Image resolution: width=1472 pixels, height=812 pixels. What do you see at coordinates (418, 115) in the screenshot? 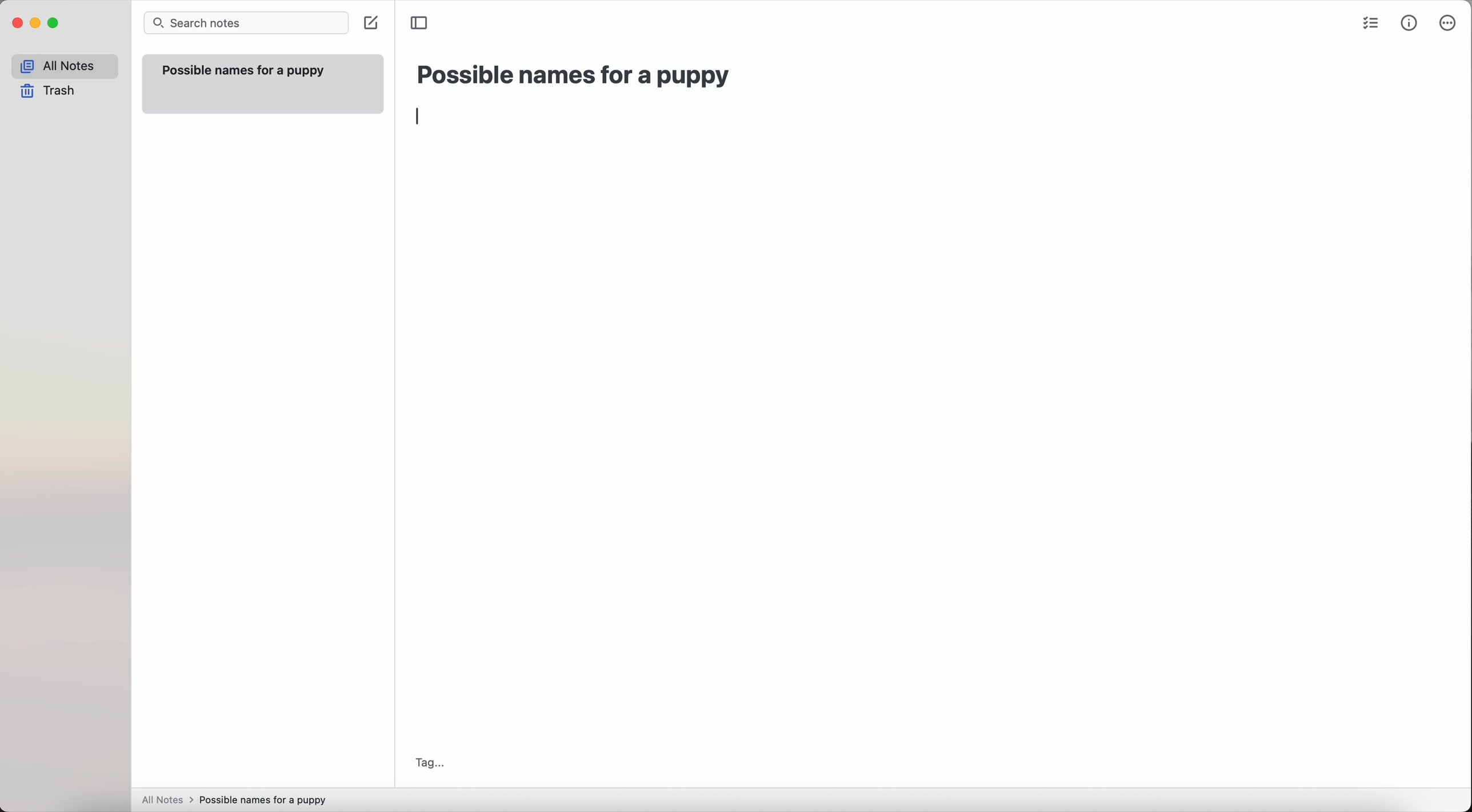
I see `enter` at bounding box center [418, 115].